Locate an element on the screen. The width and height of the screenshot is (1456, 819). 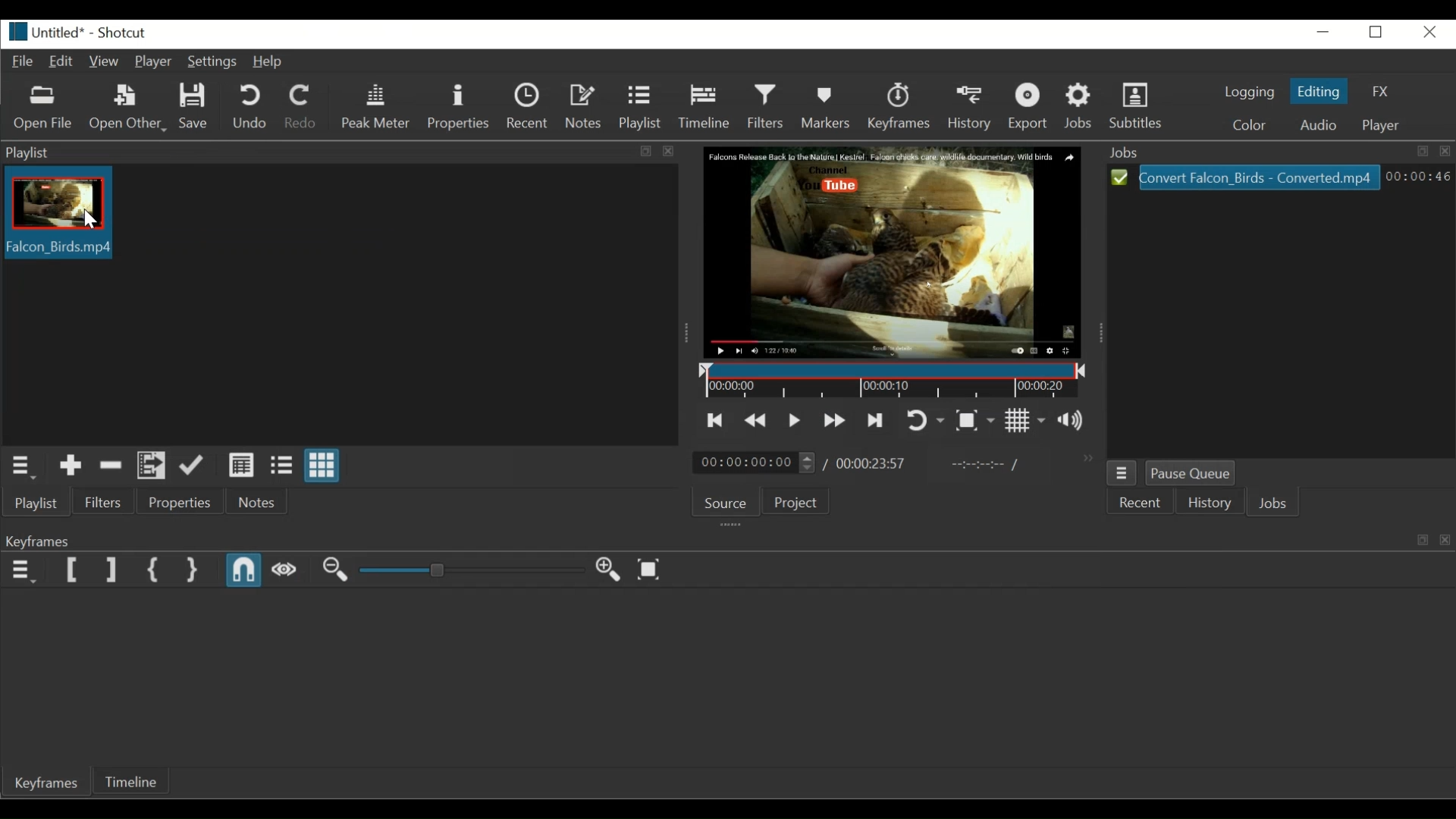
Play quickly backward is located at coordinates (756, 420).